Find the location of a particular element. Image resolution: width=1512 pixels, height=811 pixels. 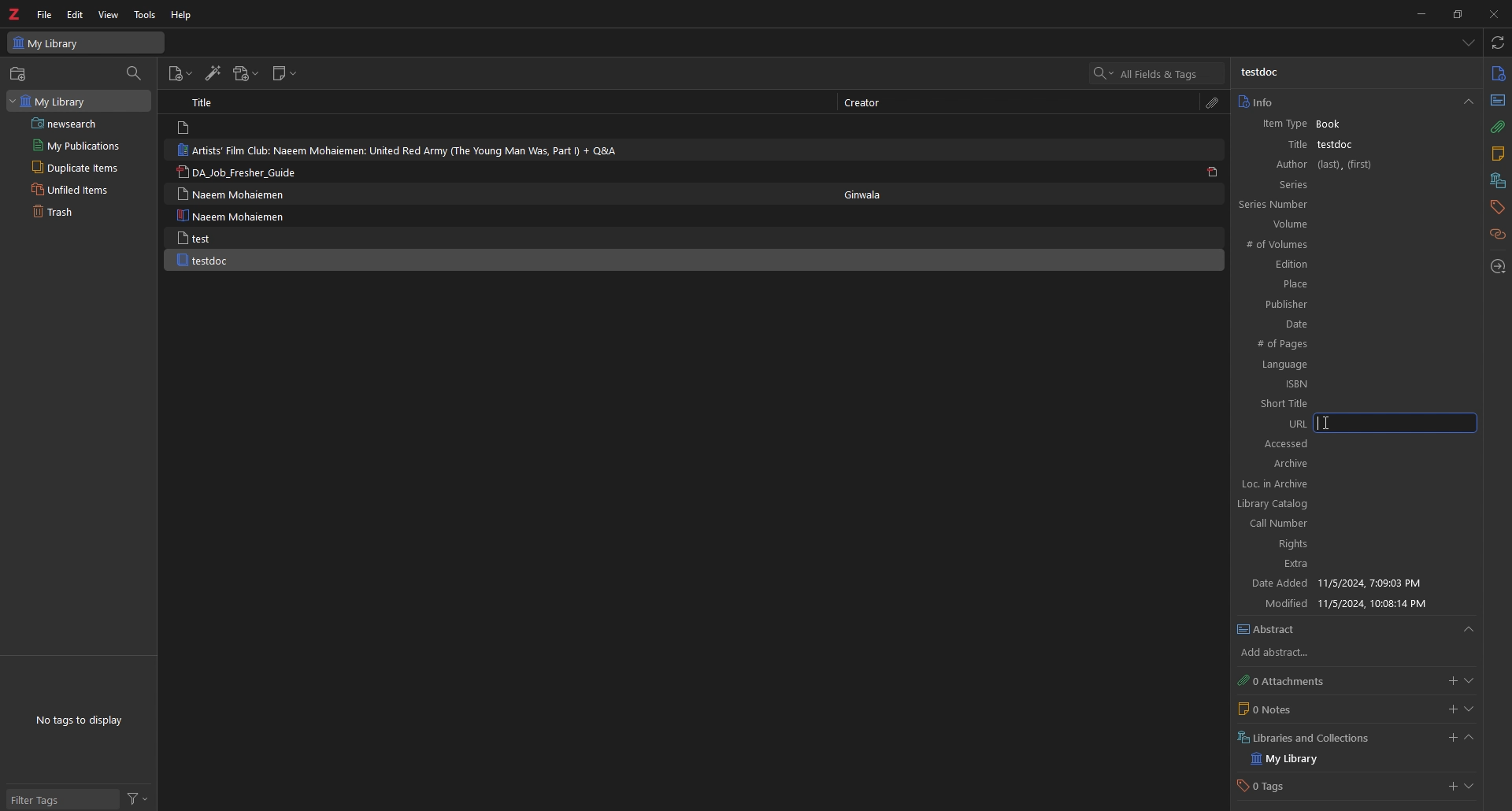

notes is located at coordinates (1497, 154).